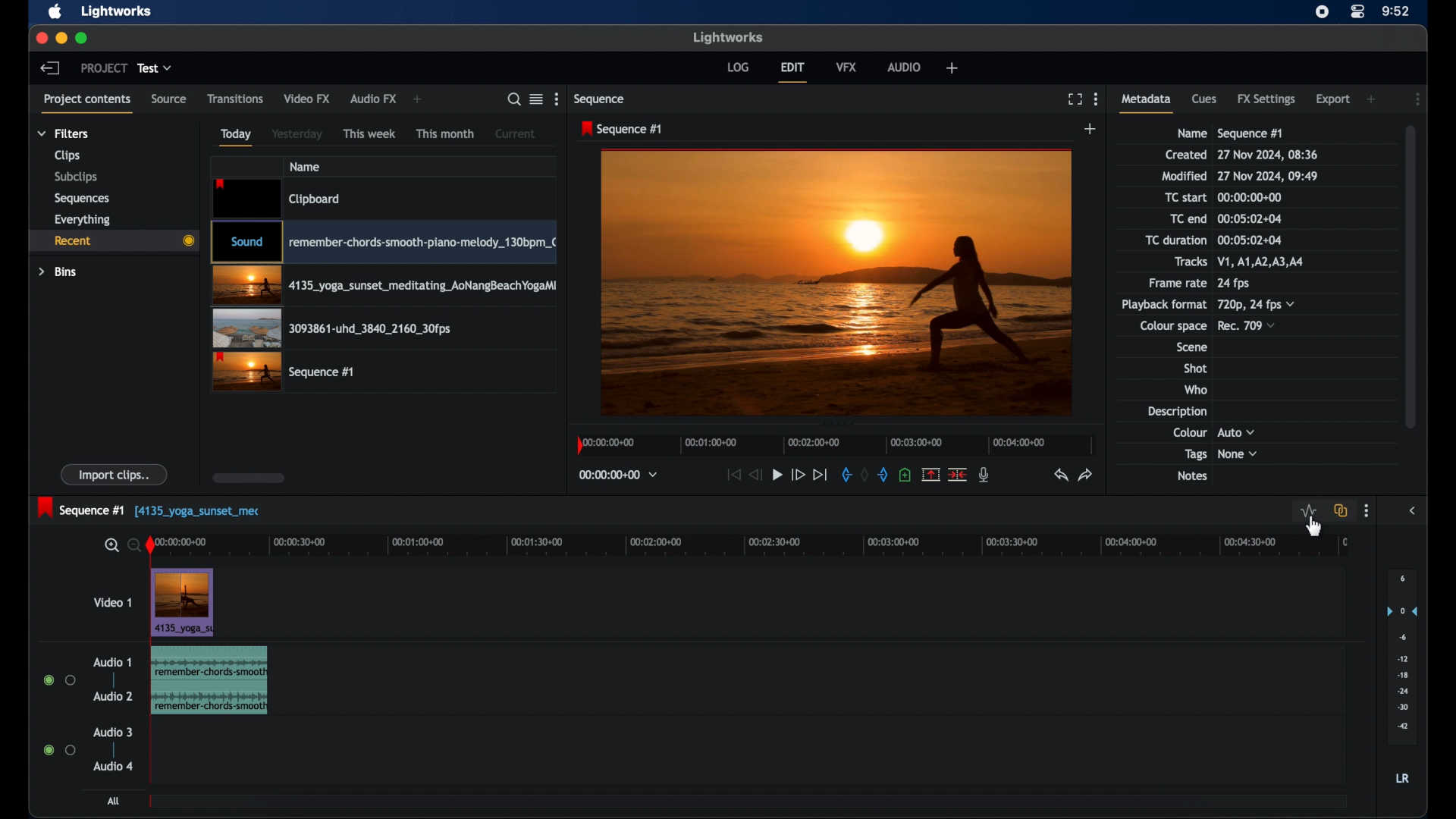 Image resolution: width=1456 pixels, height=819 pixels. Describe the element at coordinates (795, 71) in the screenshot. I see `edit` at that location.